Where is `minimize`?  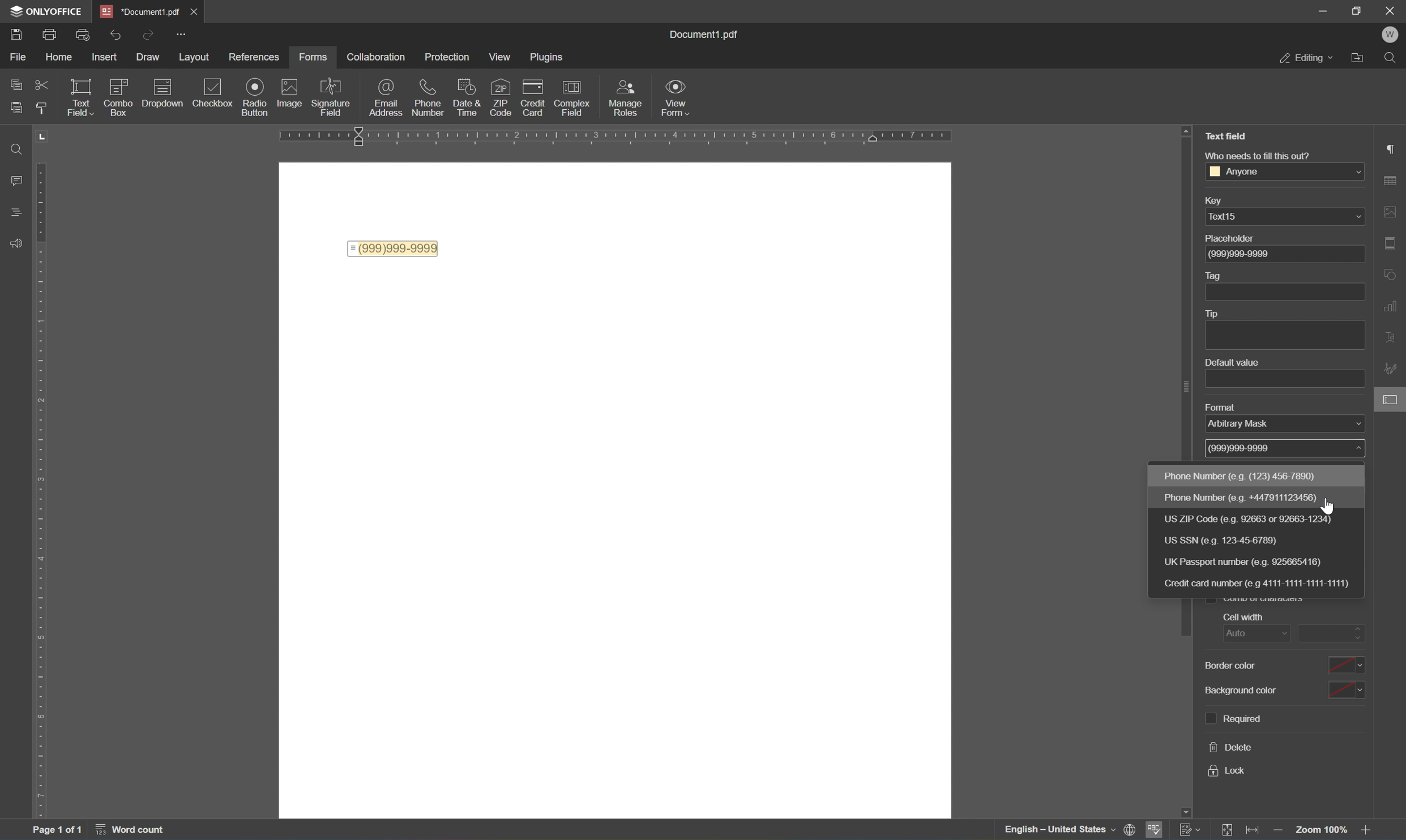 minimize is located at coordinates (1324, 10).